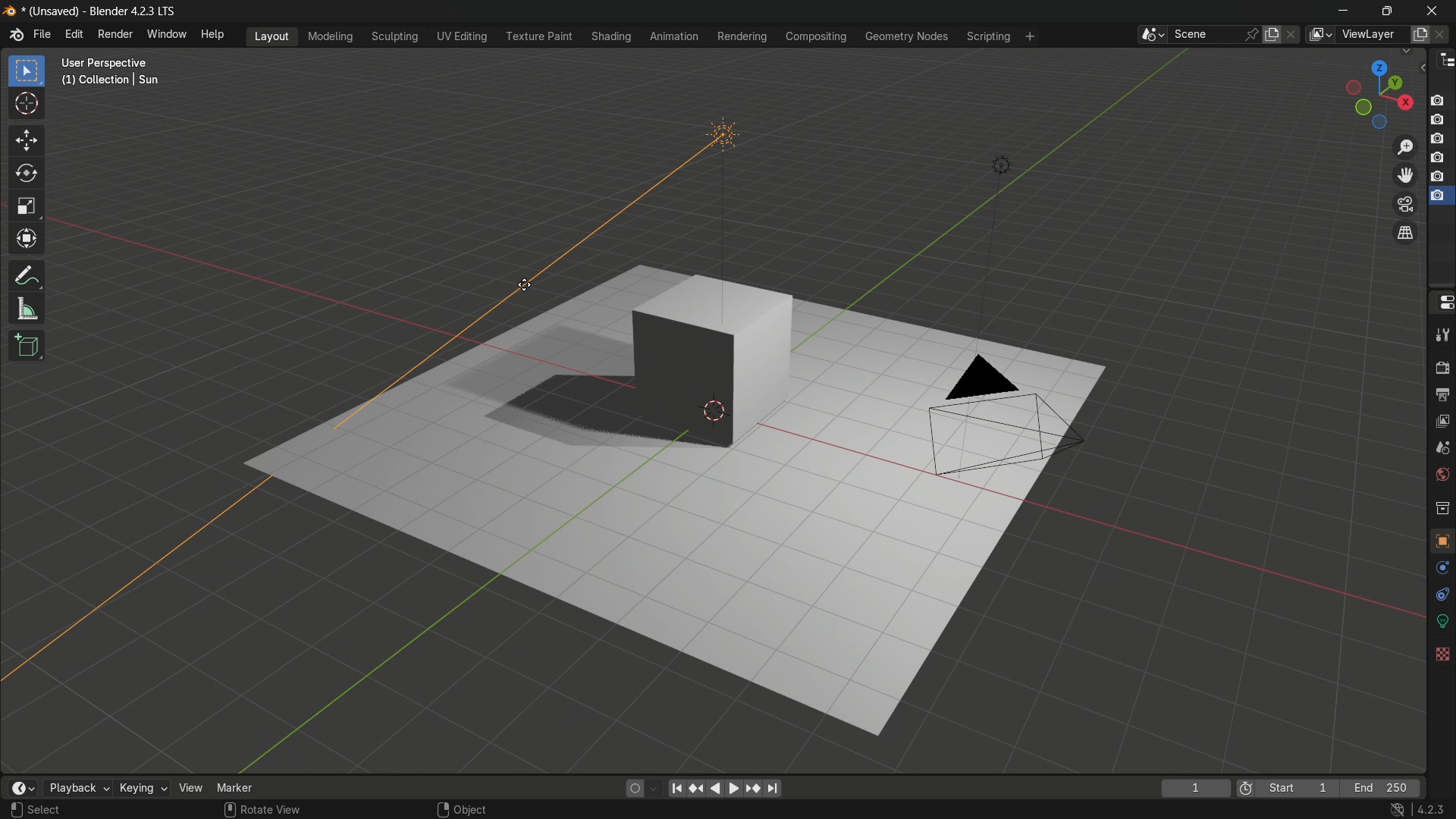 The image size is (1456, 819). I want to click on output, so click(1442, 395).